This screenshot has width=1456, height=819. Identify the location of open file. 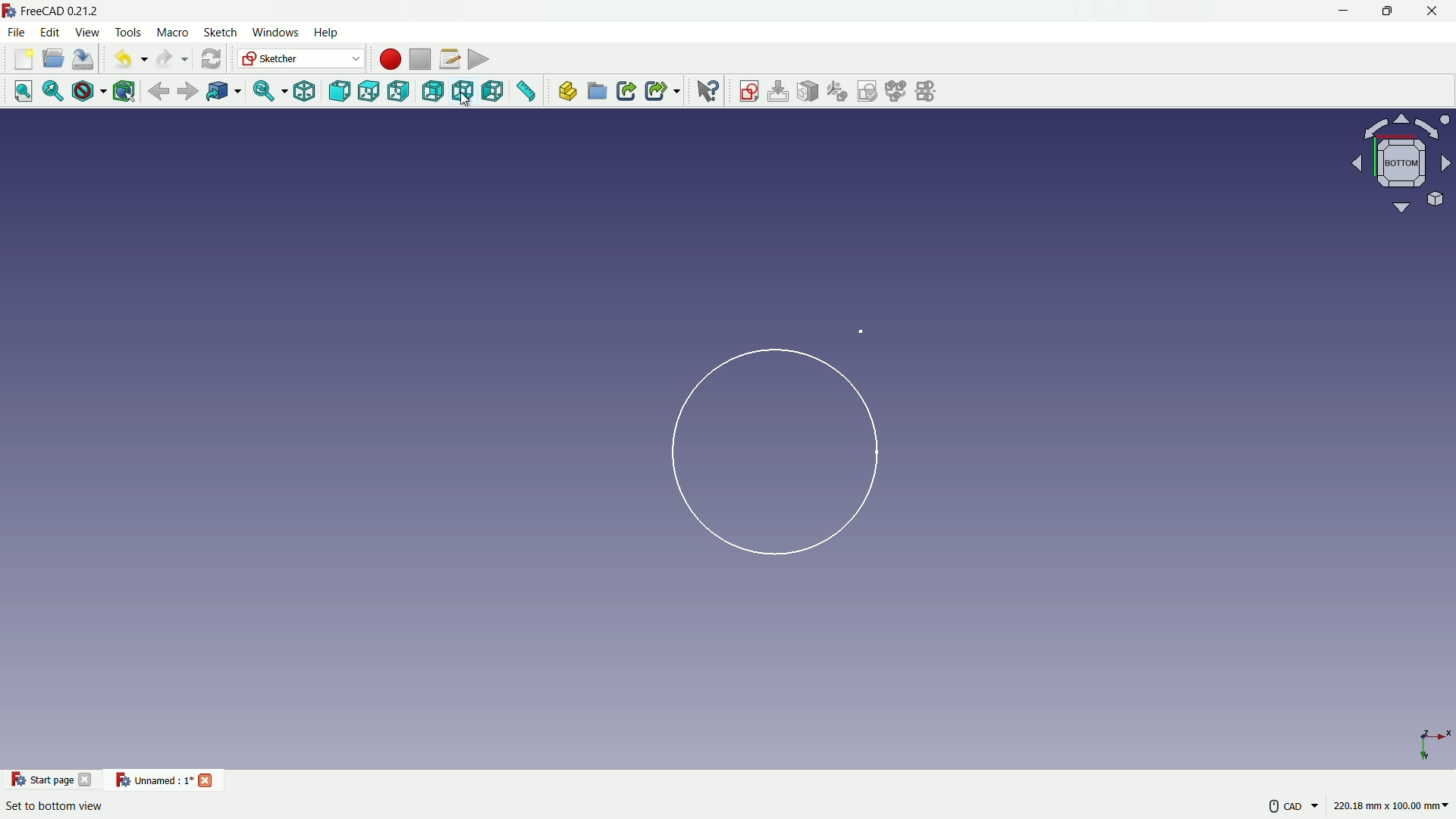
(22, 59).